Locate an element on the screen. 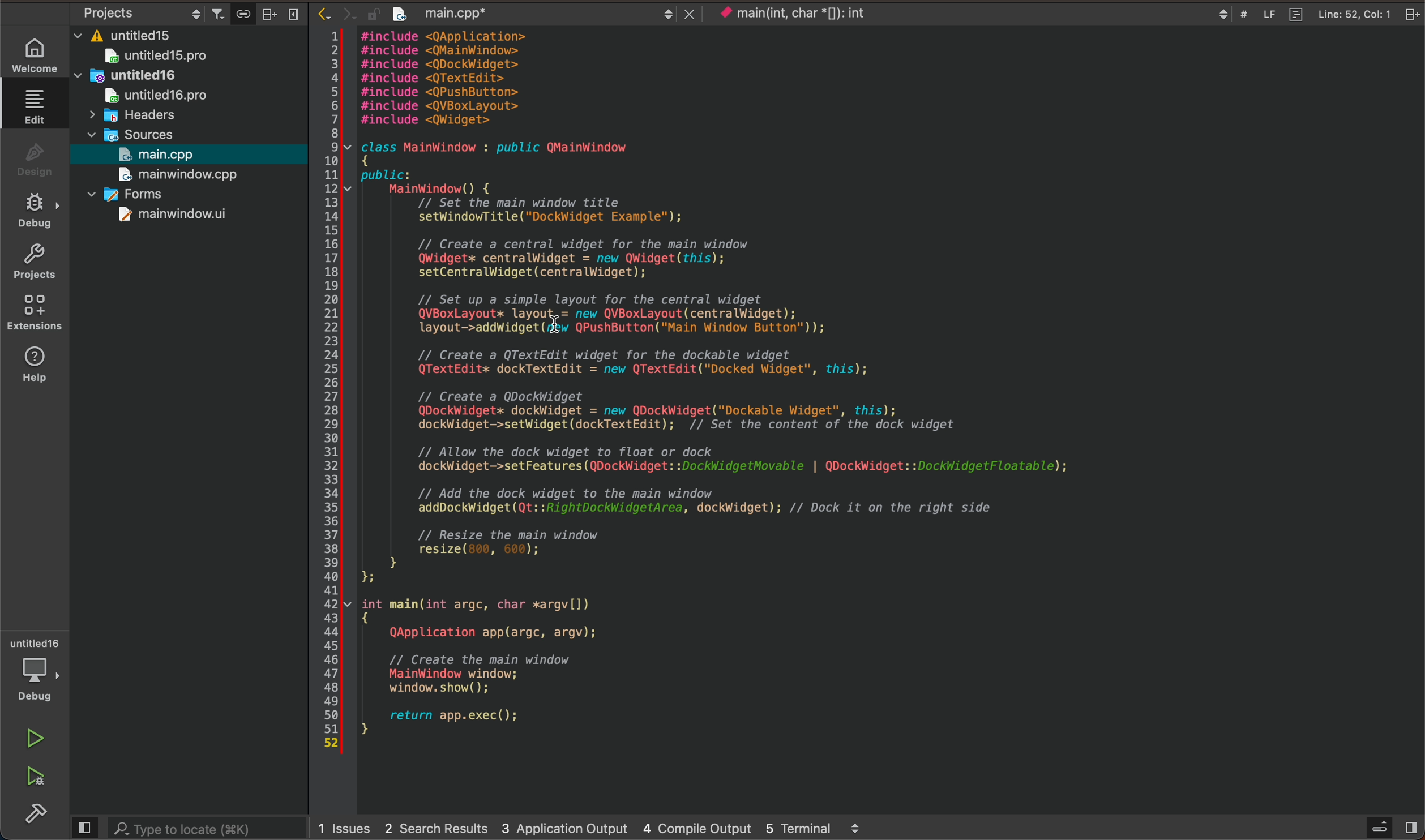 The width and height of the screenshot is (1425, 840). cursor is located at coordinates (553, 312).